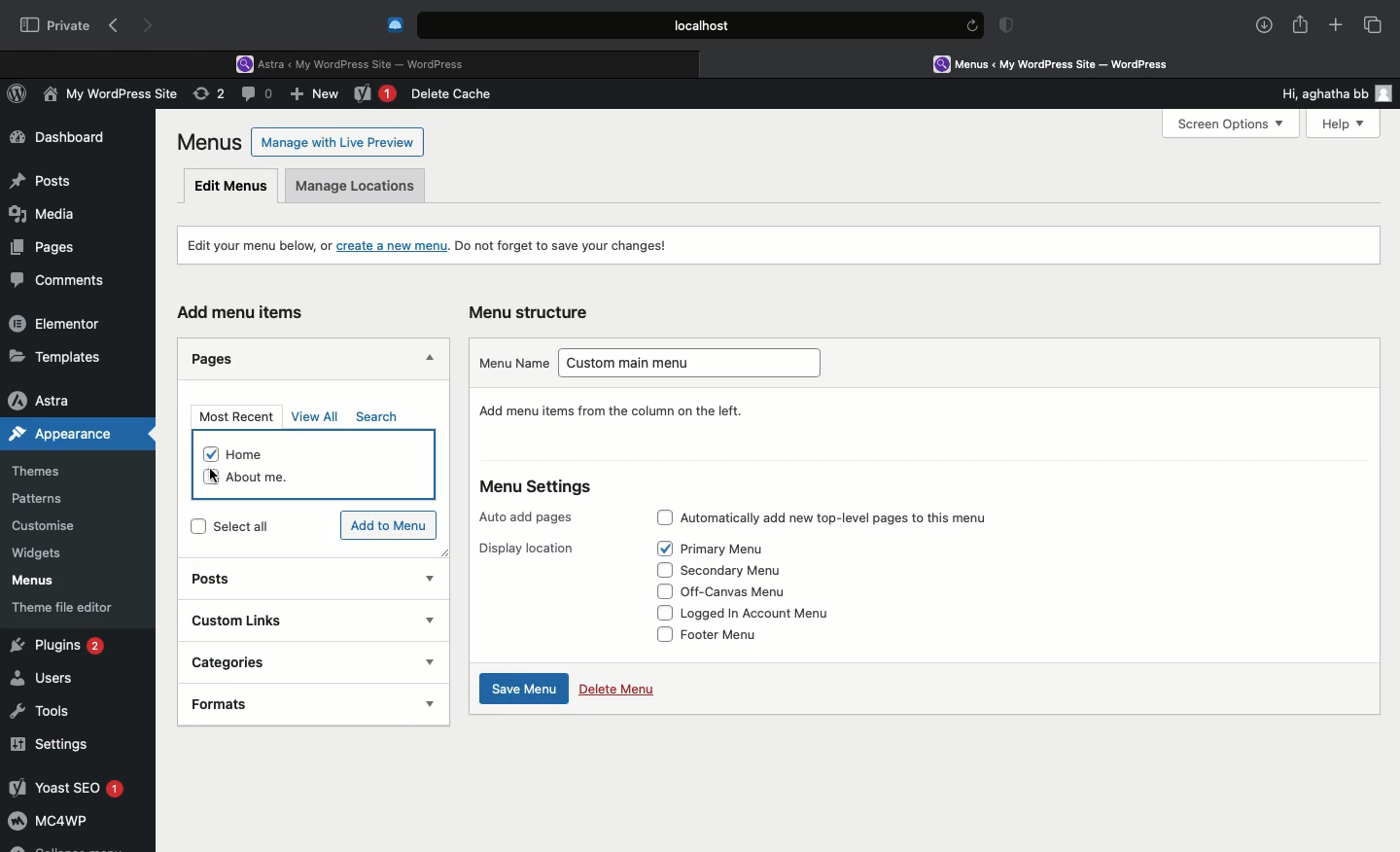 The image size is (1400, 852). I want to click on Themes, so click(50, 472).